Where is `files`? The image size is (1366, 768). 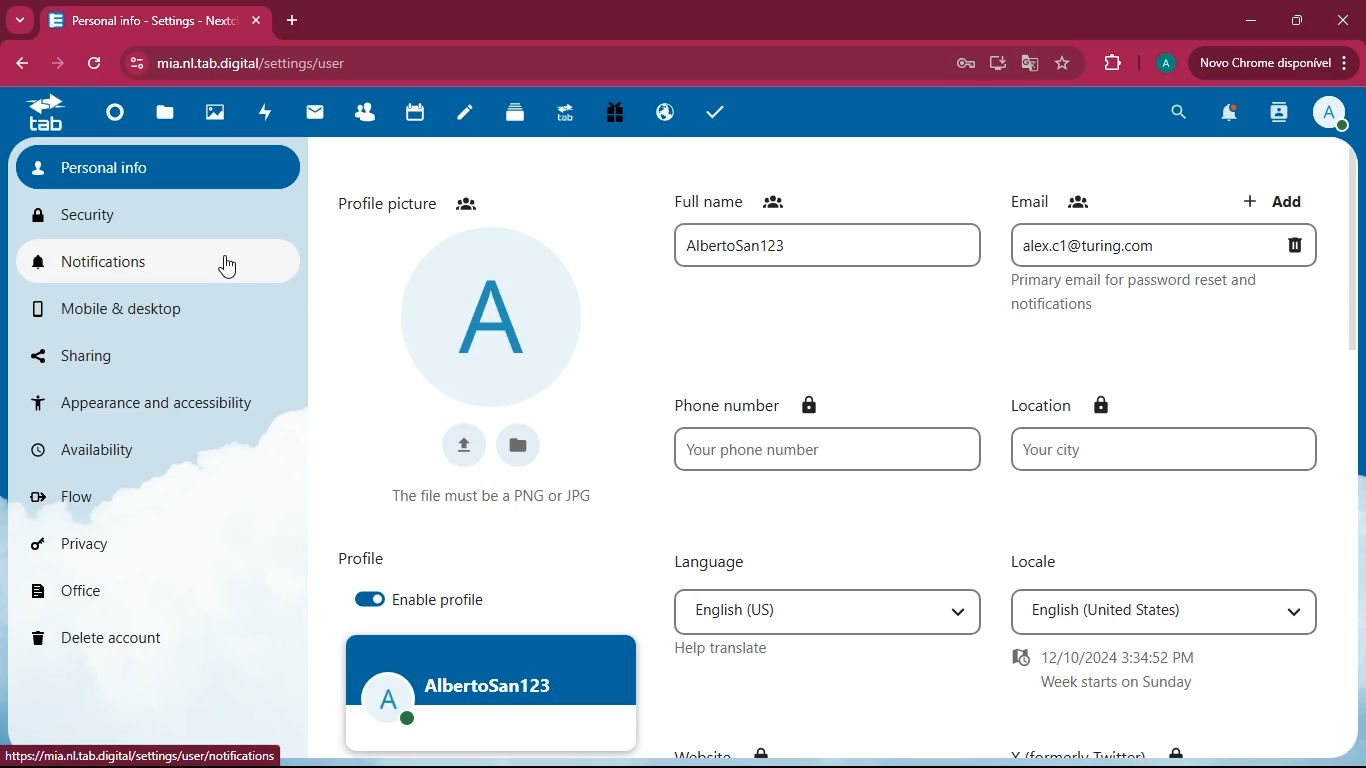 files is located at coordinates (521, 445).